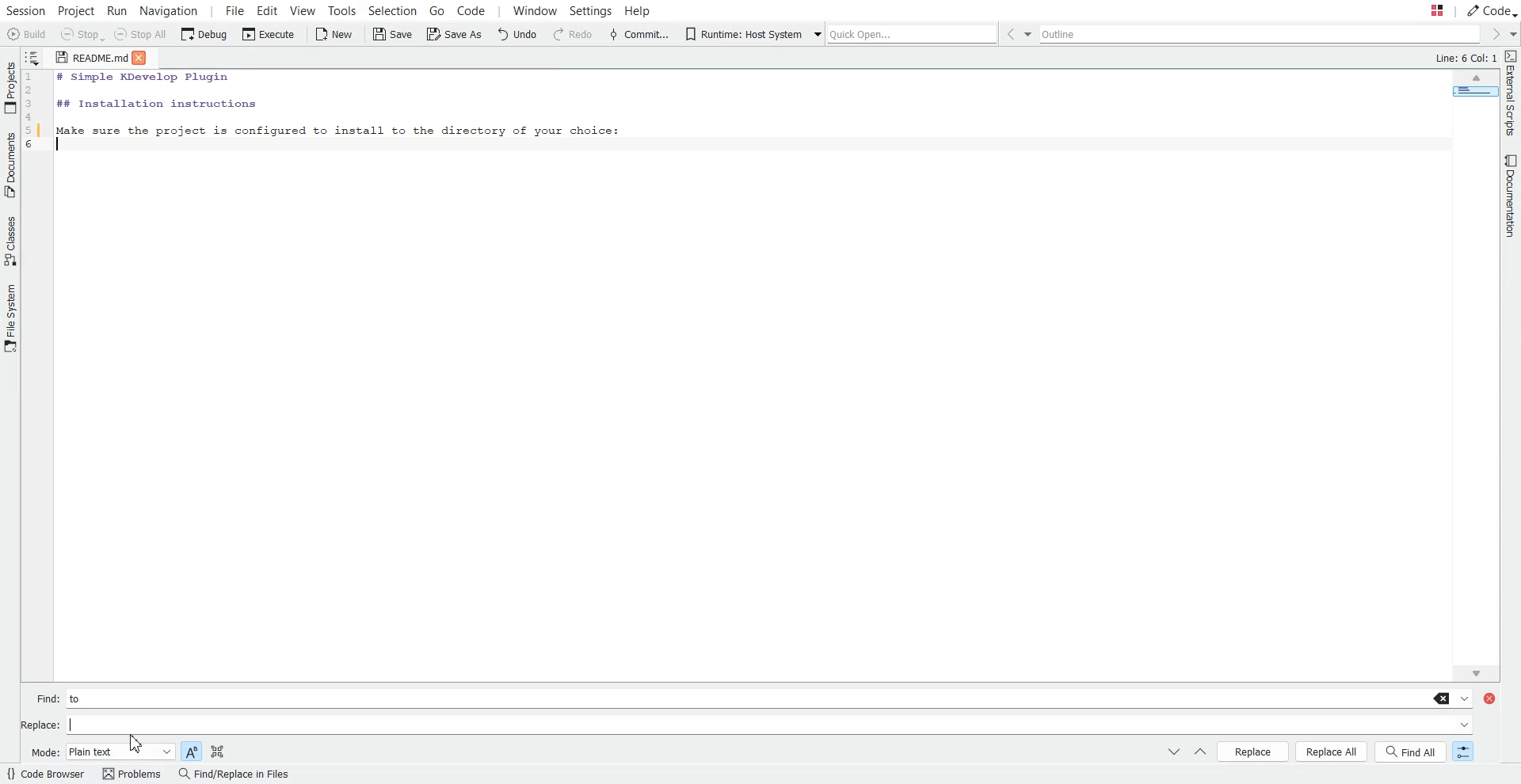 The image size is (1521, 784). I want to click on Execute, so click(266, 35).